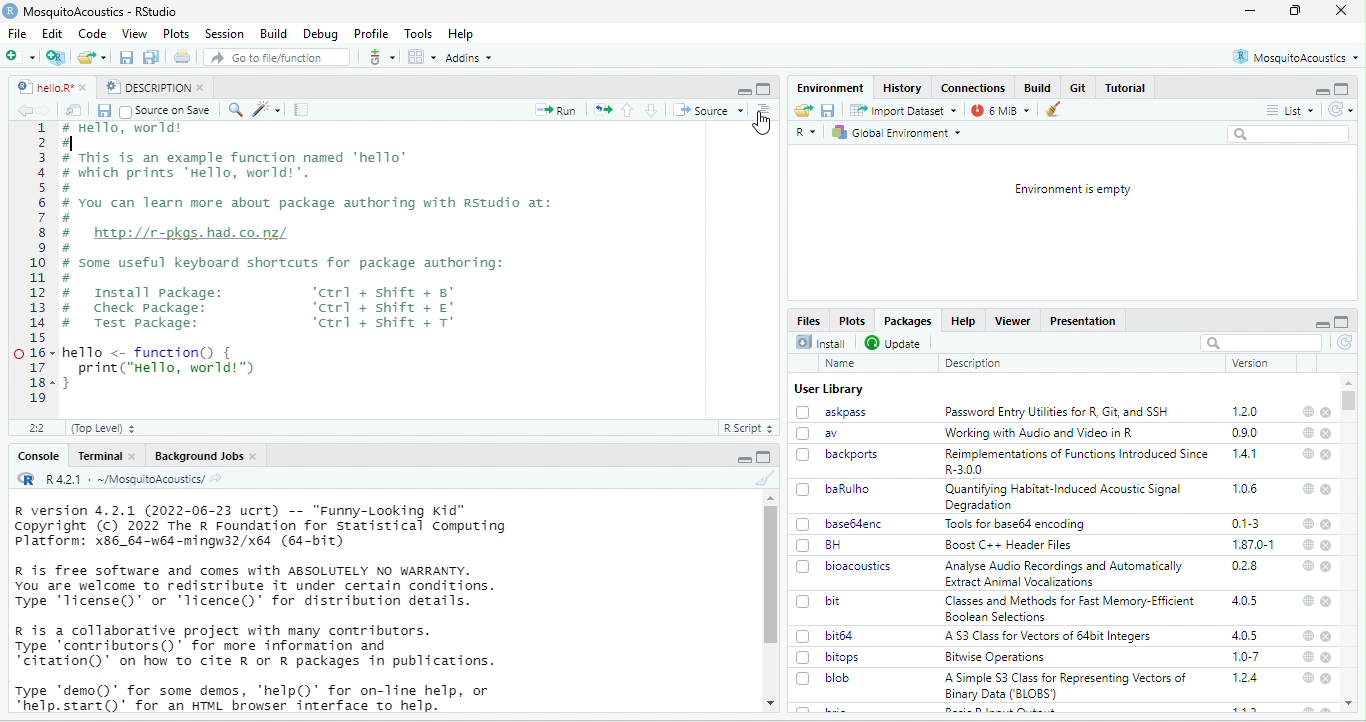  I want to click on close, so click(1328, 637).